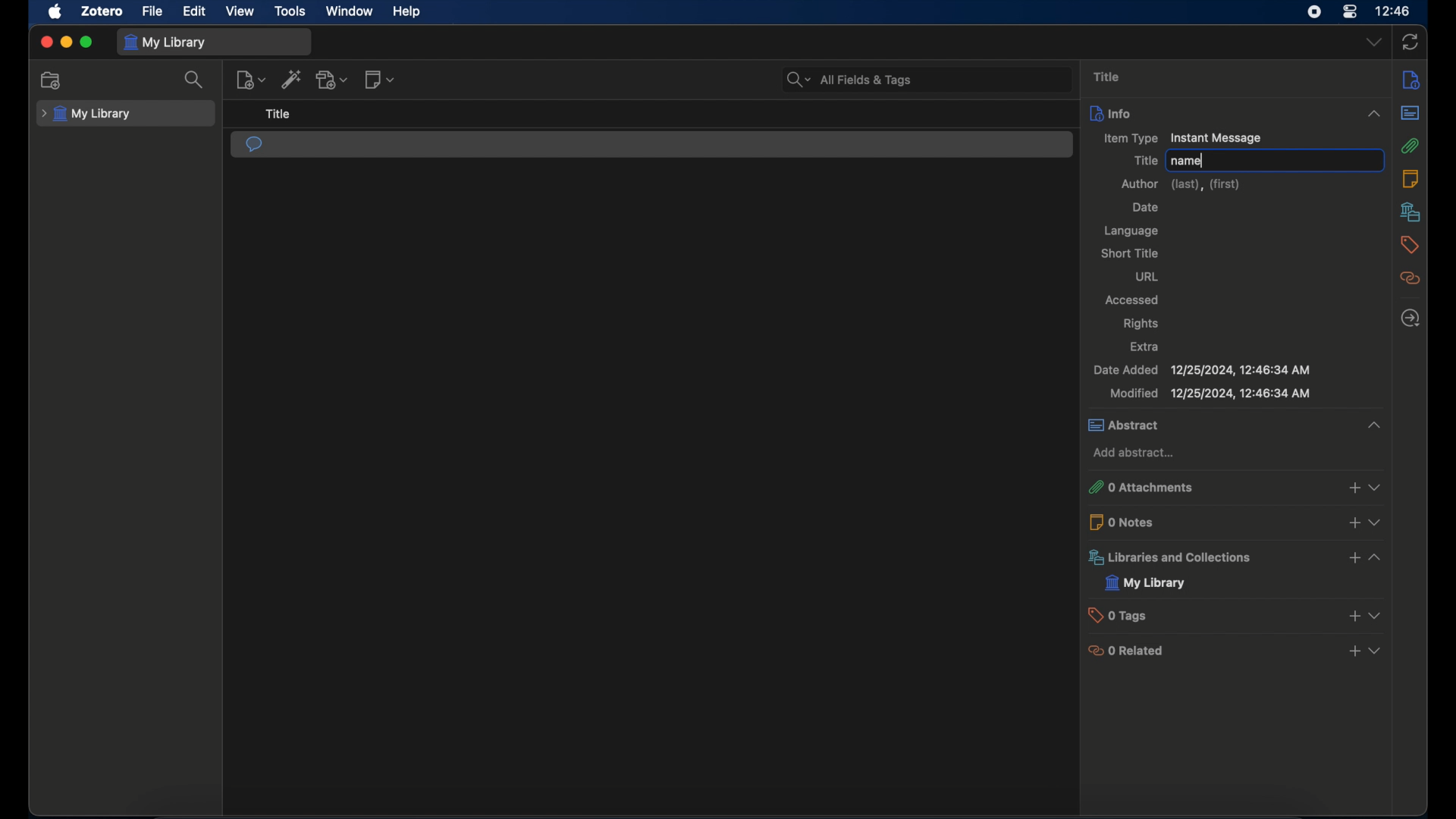  I want to click on new item, so click(251, 80).